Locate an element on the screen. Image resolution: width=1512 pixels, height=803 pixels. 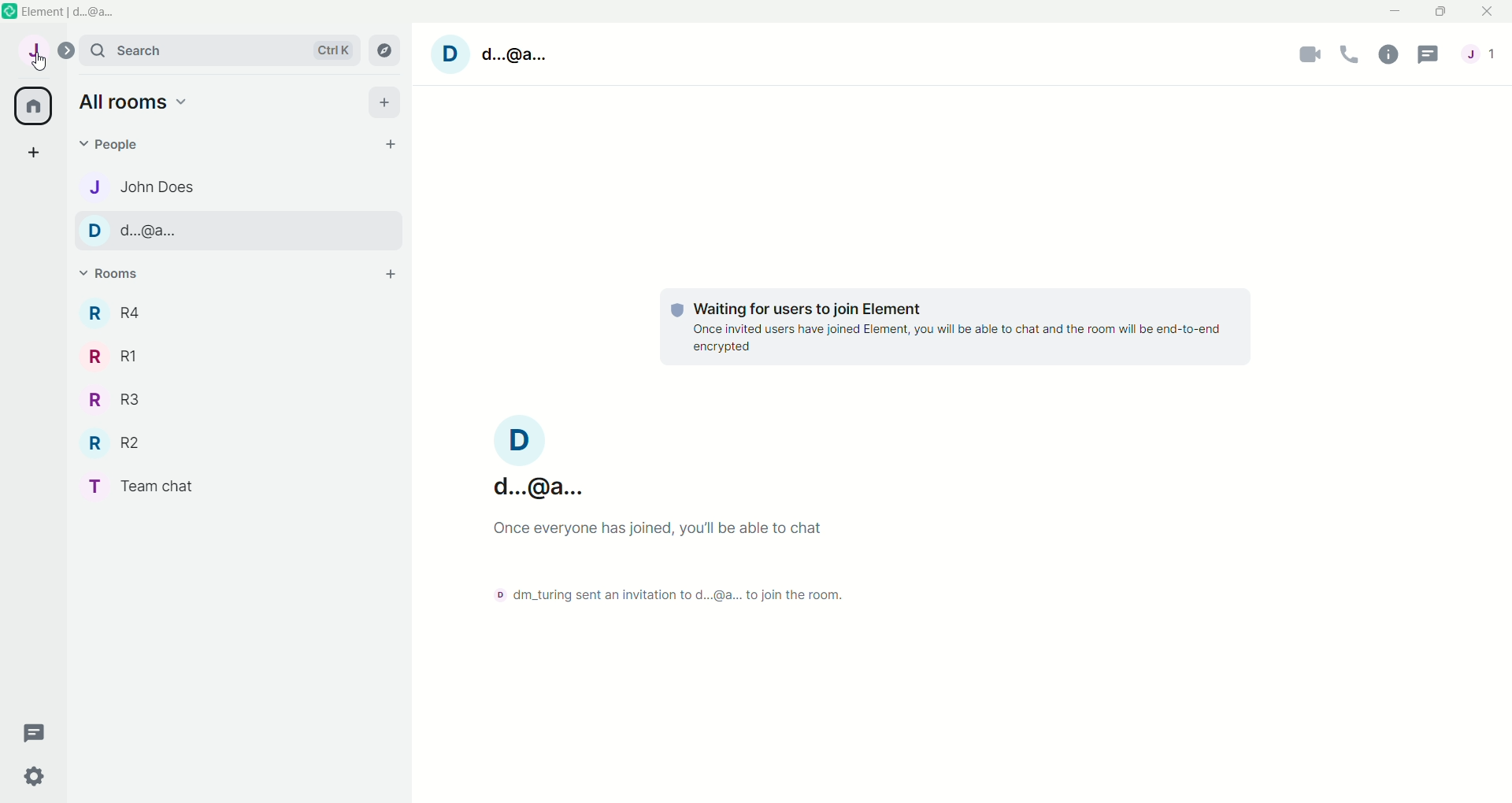
Create a space is located at coordinates (30, 154).